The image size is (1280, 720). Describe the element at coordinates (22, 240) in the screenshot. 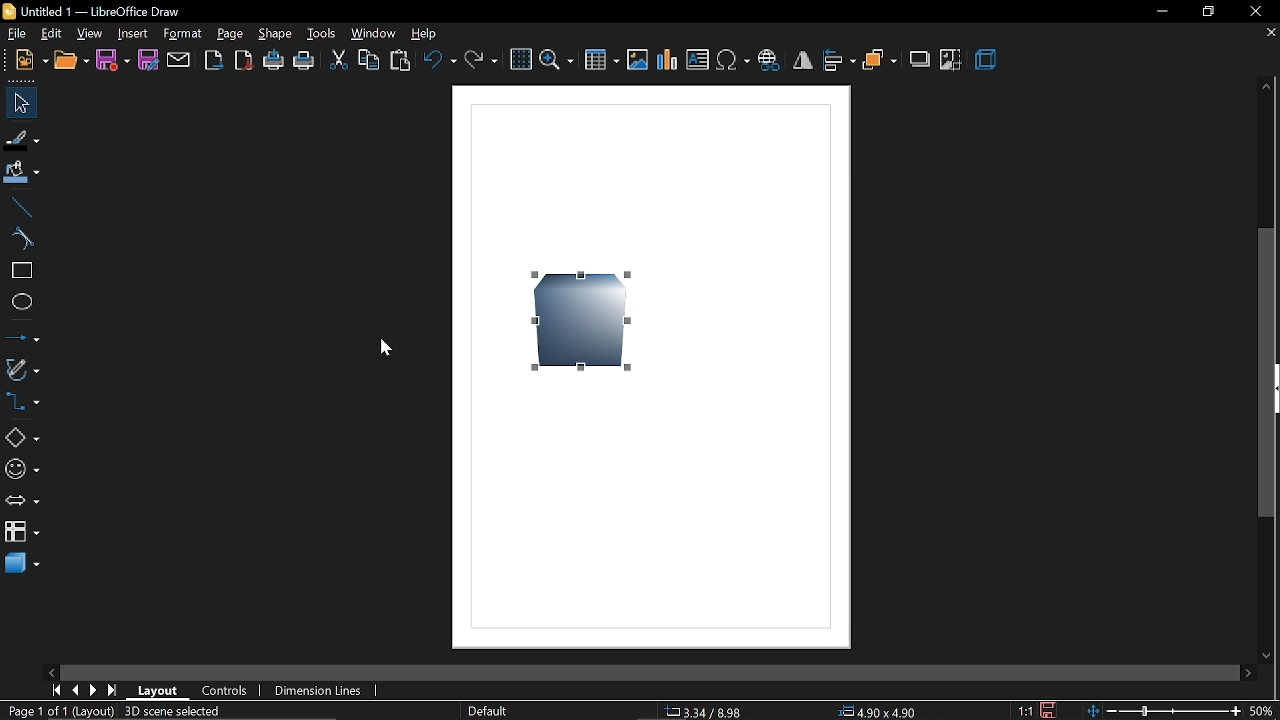

I see `curve` at that location.